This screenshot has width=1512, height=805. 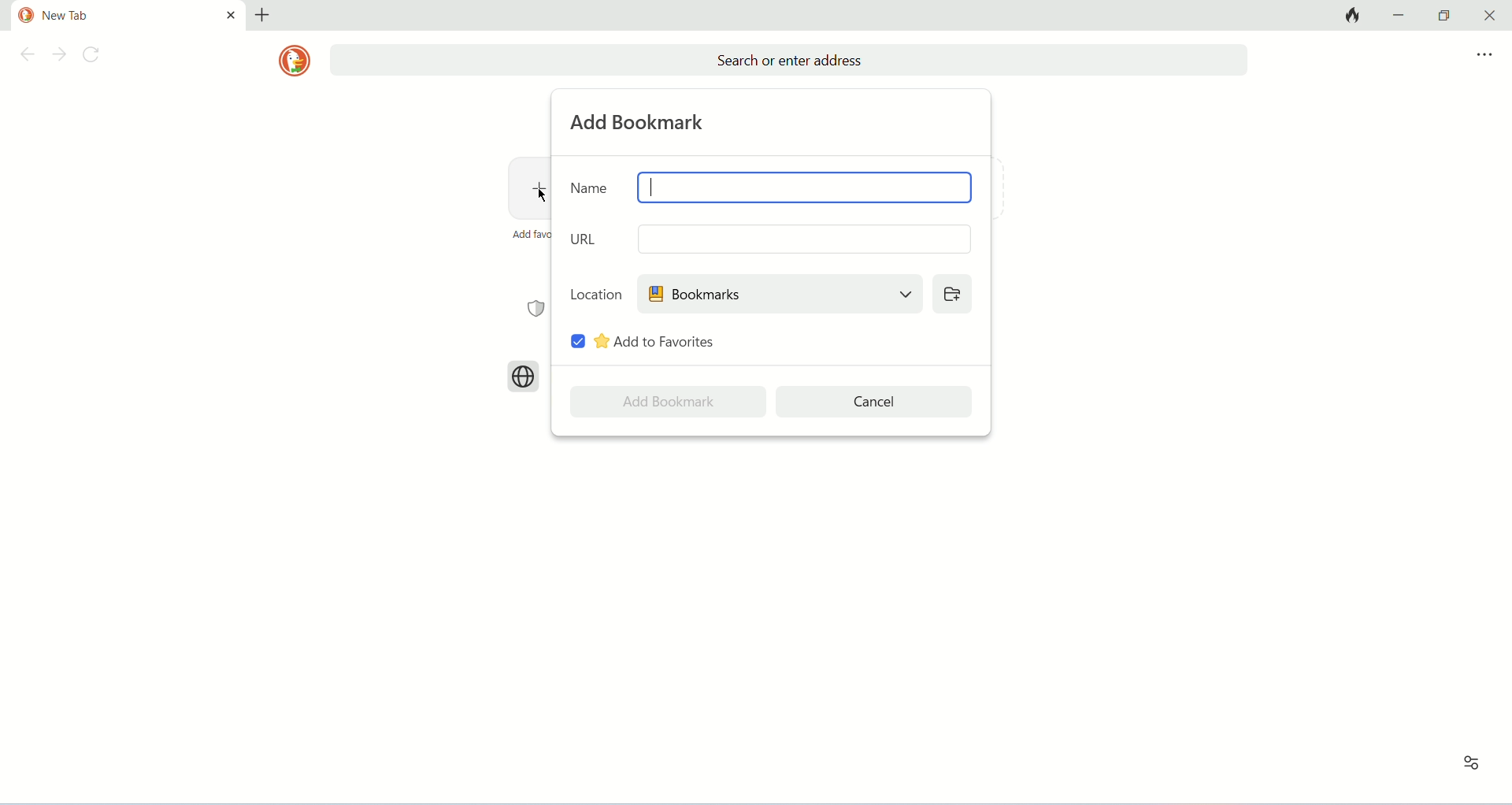 What do you see at coordinates (651, 187) in the screenshot?
I see `typing name` at bounding box center [651, 187].